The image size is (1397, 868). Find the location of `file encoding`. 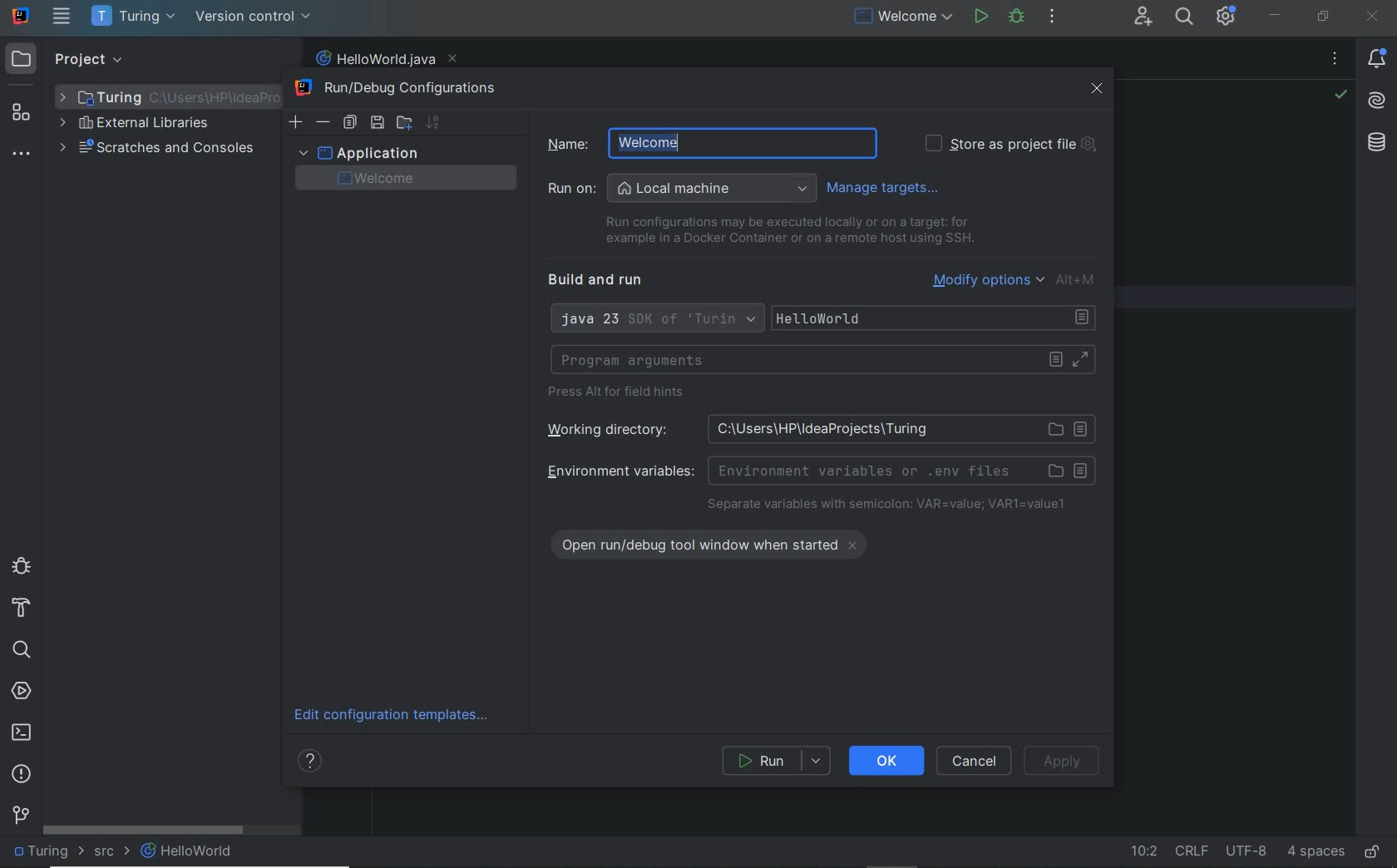

file encoding is located at coordinates (1247, 851).